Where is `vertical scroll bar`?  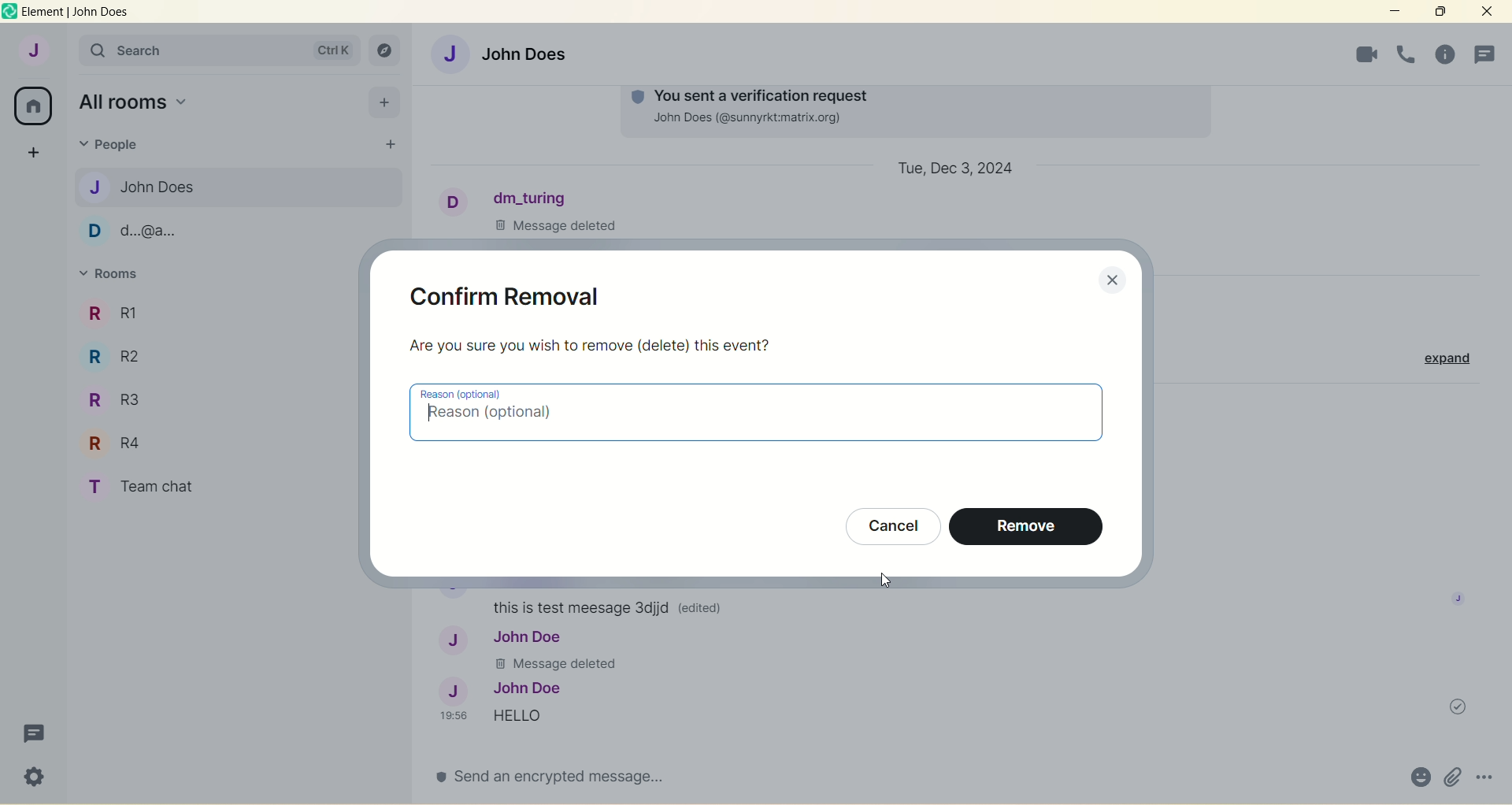
vertical scroll bar is located at coordinates (1503, 418).